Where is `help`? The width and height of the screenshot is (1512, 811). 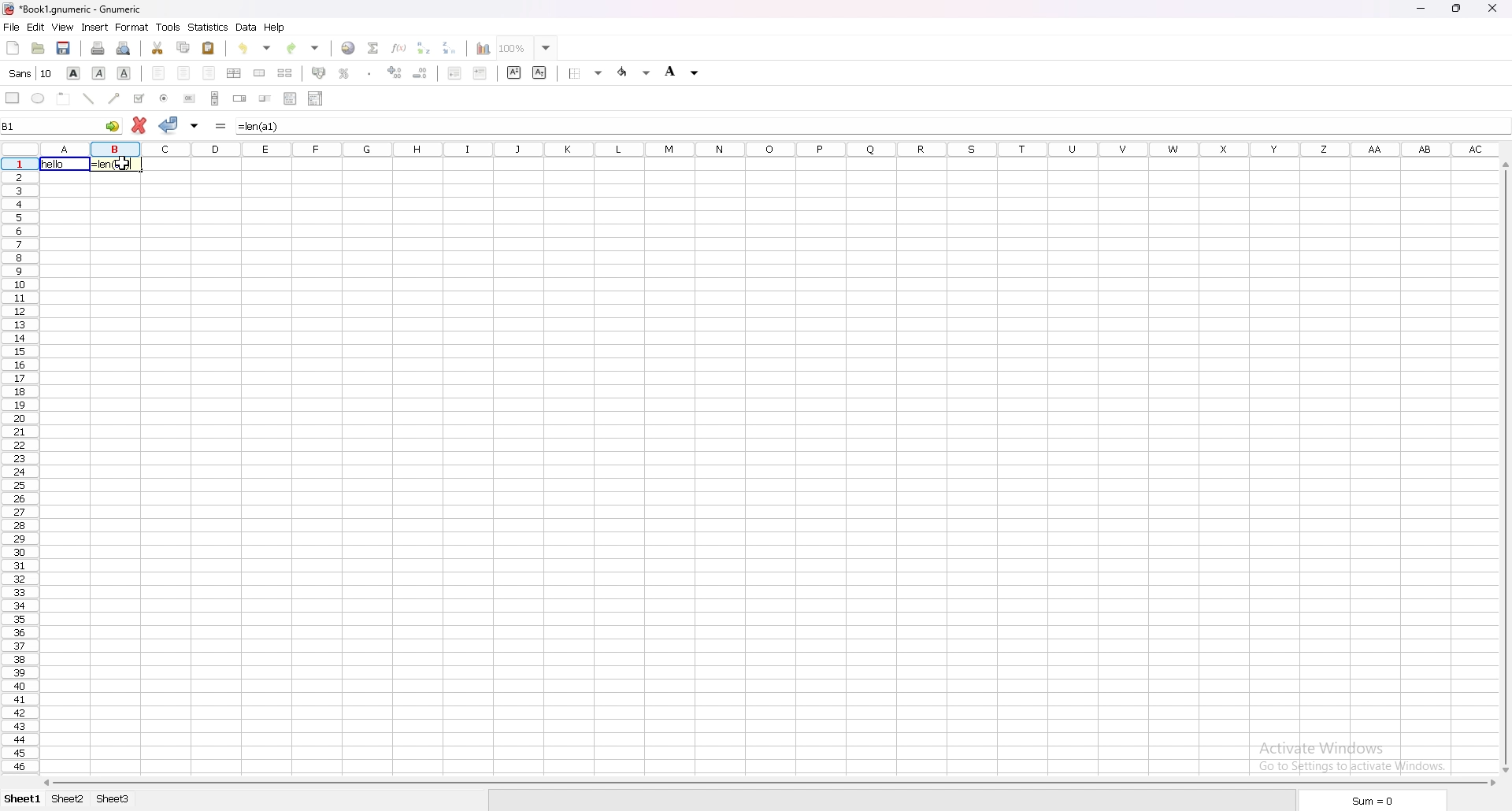 help is located at coordinates (275, 27).